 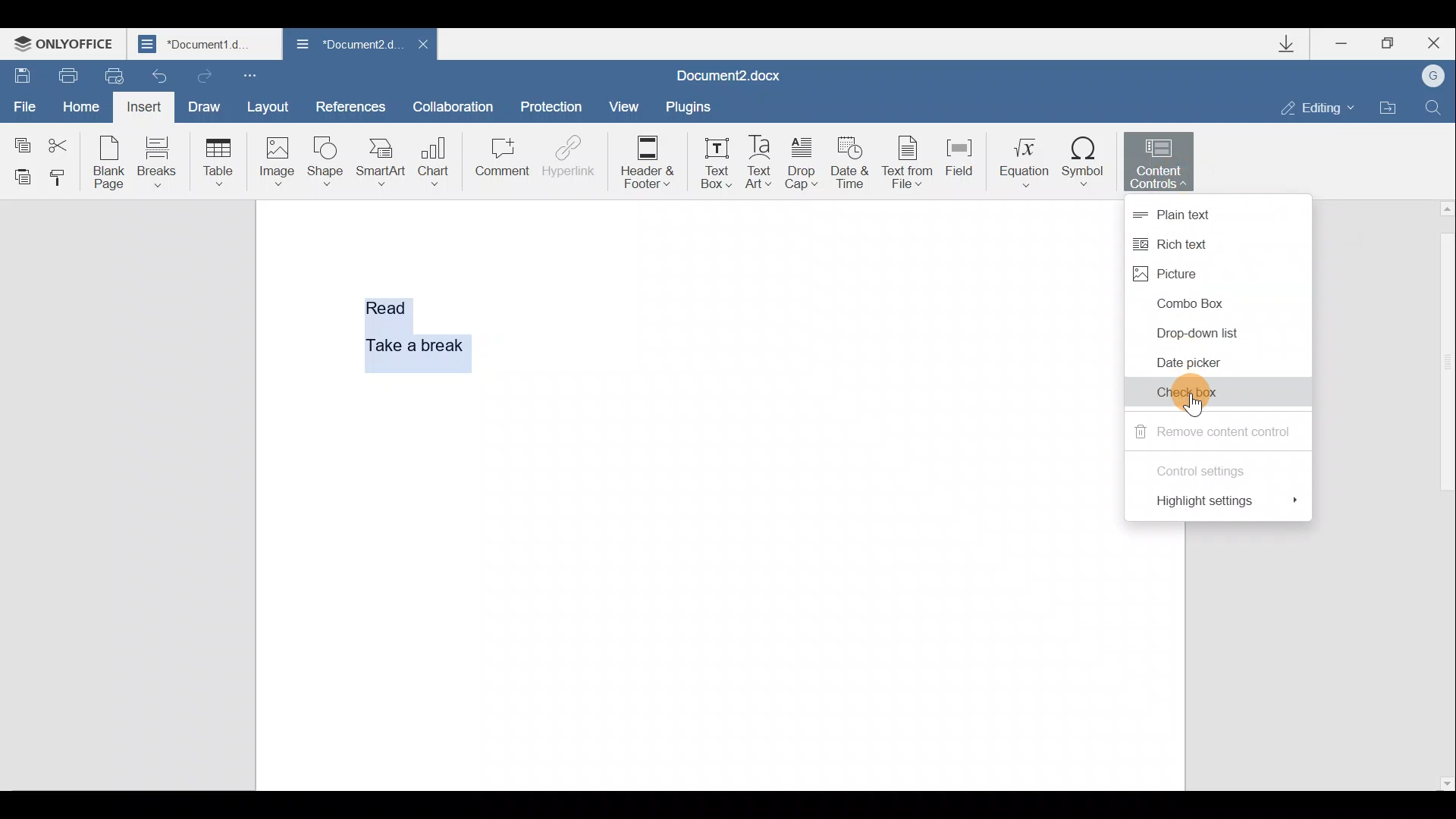 I want to click on Header & footer, so click(x=652, y=162).